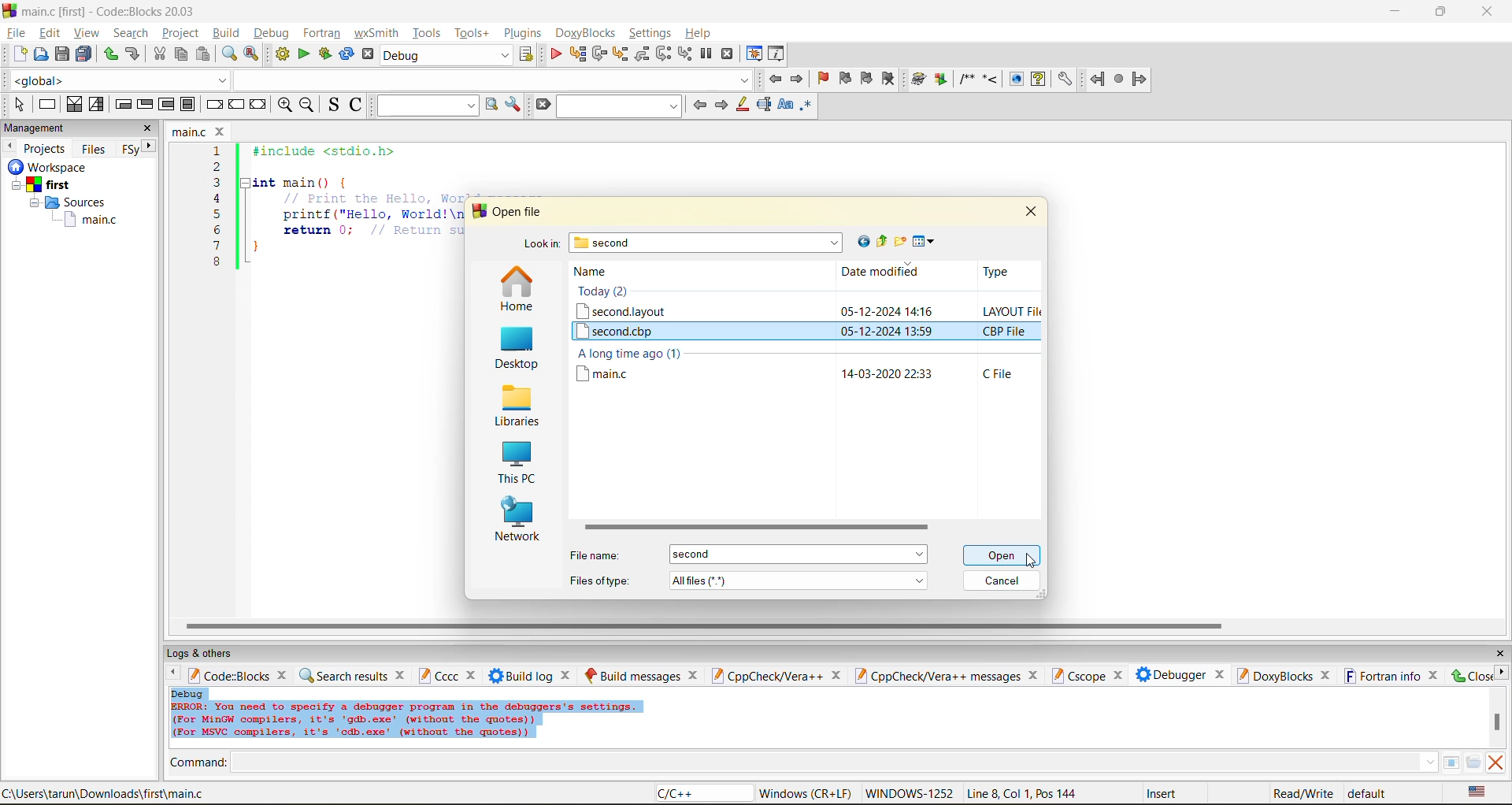 The image size is (1512, 805). What do you see at coordinates (123, 104) in the screenshot?
I see `entry condition loop` at bounding box center [123, 104].